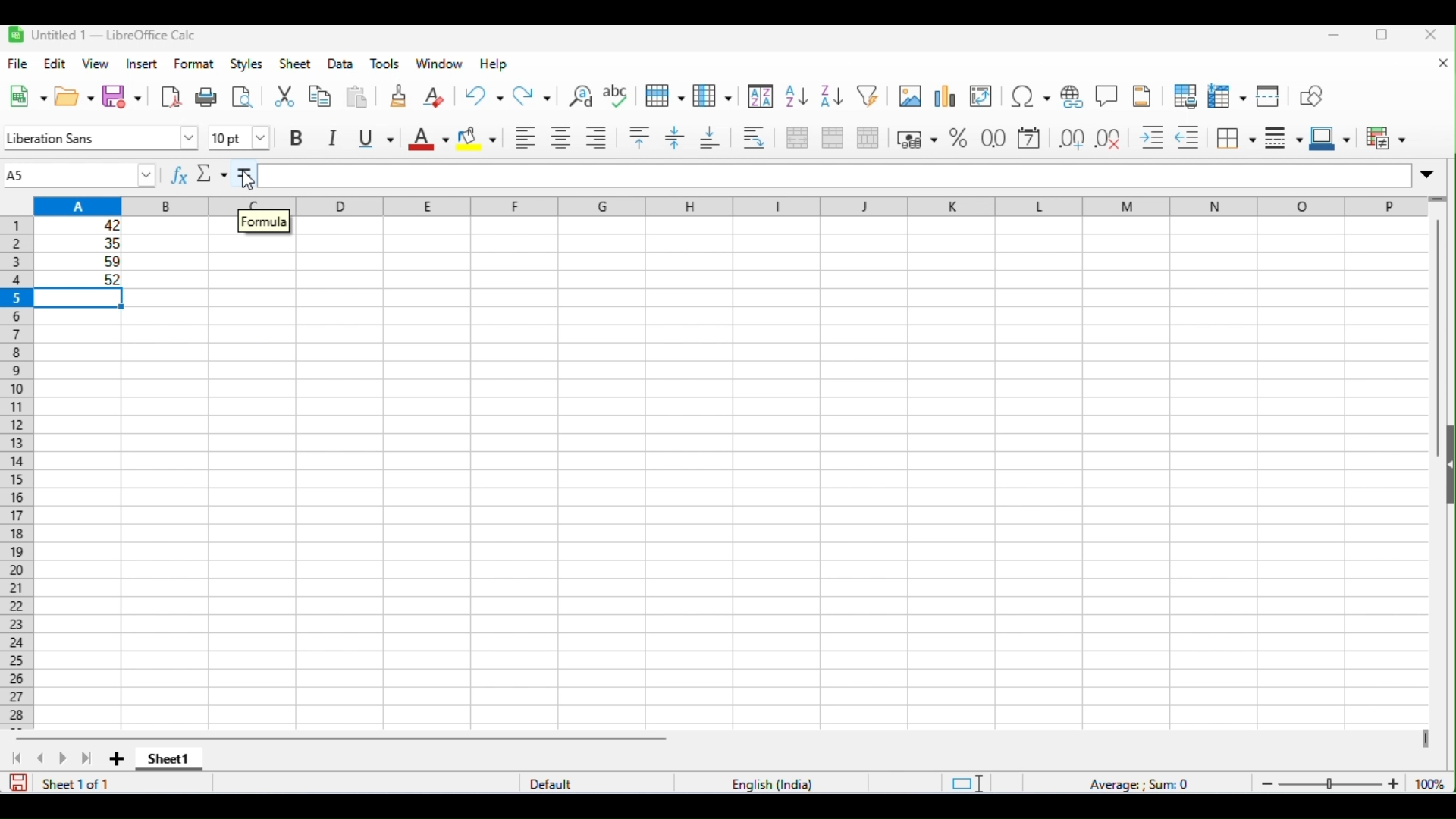  Describe the element at coordinates (171, 97) in the screenshot. I see `export as pdf` at that location.